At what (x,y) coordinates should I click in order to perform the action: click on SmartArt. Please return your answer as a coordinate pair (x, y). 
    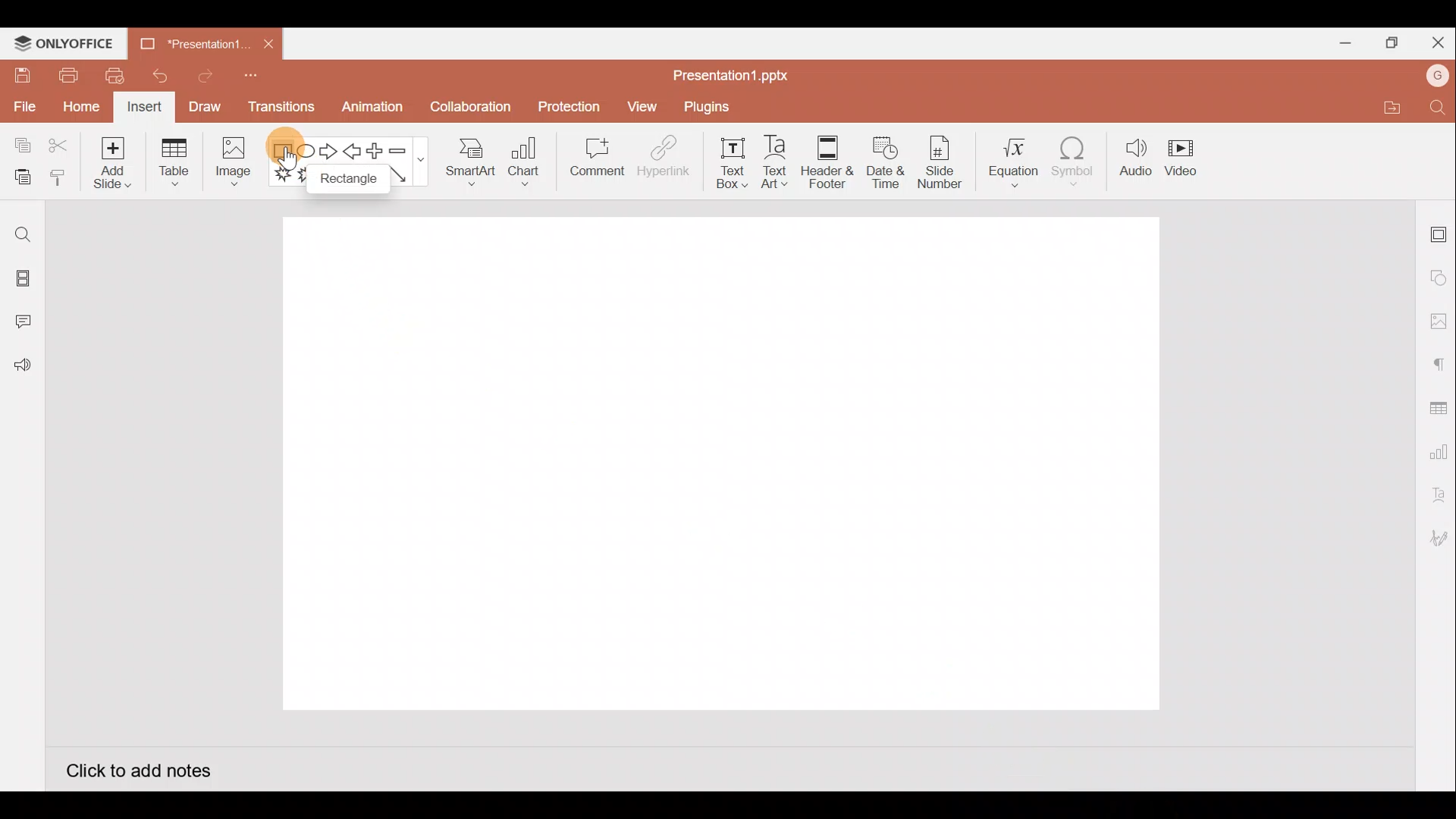
    Looking at the image, I should click on (469, 159).